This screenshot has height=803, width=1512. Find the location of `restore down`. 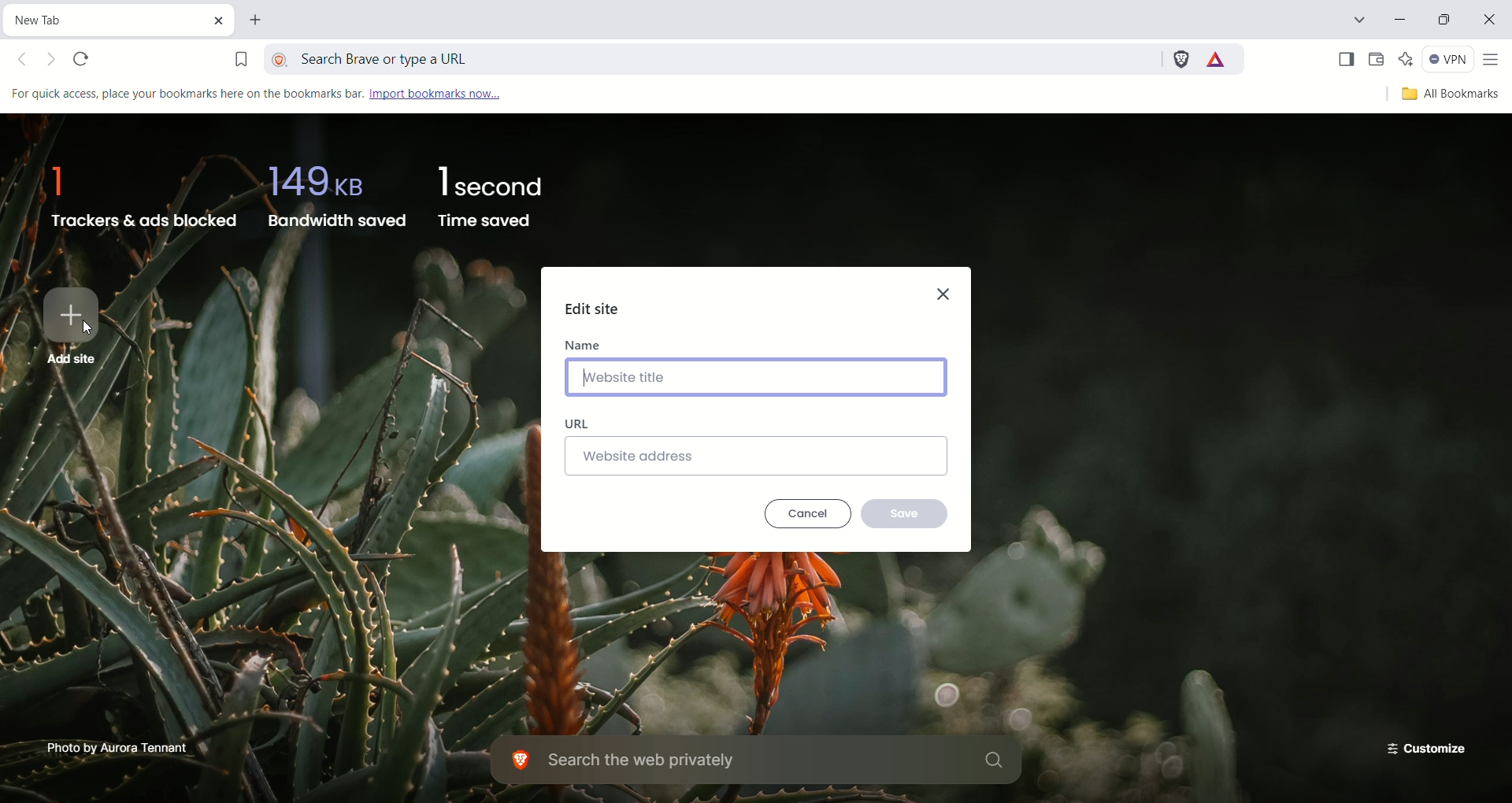

restore down is located at coordinates (1447, 22).